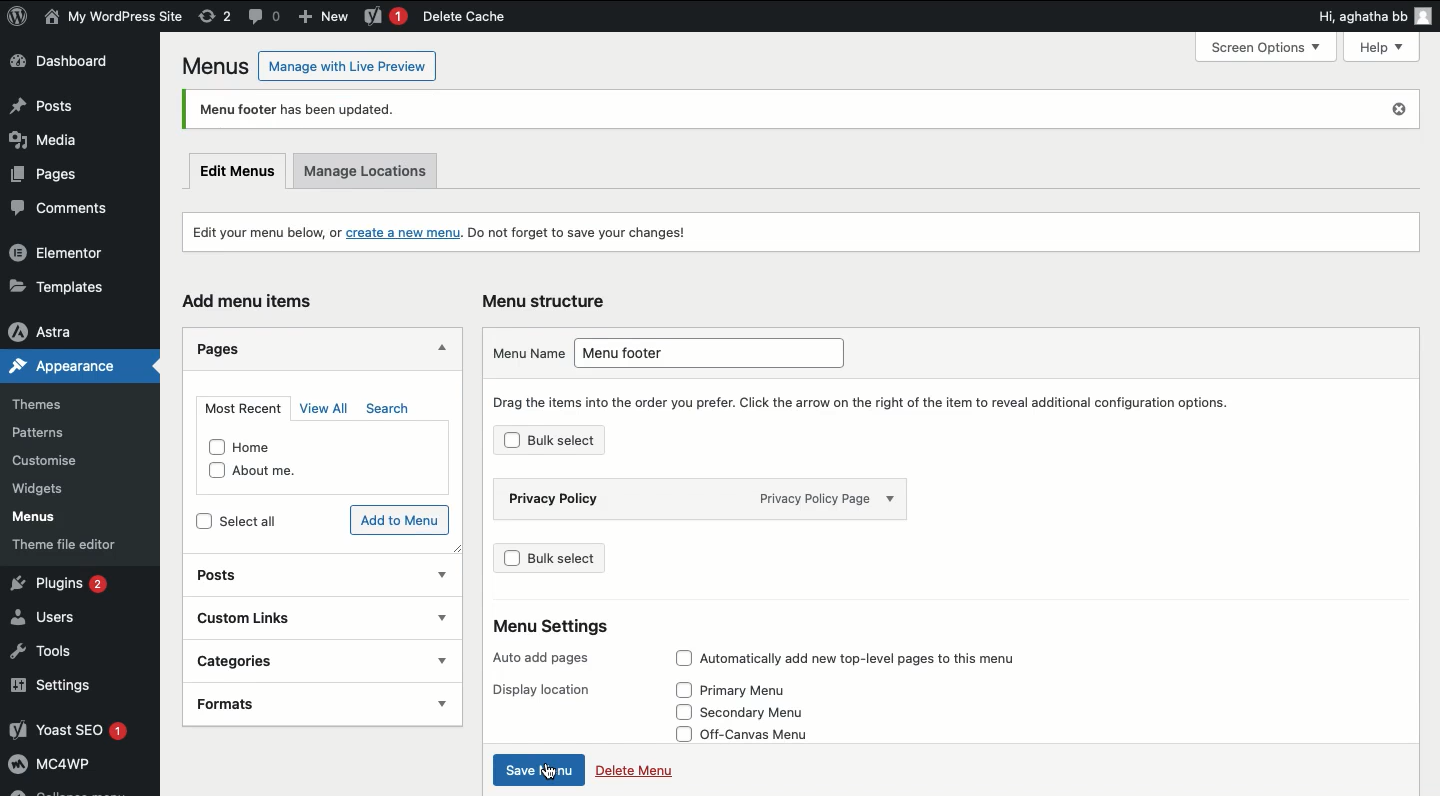  I want to click on  Do not forget to save your changes!, so click(591, 234).